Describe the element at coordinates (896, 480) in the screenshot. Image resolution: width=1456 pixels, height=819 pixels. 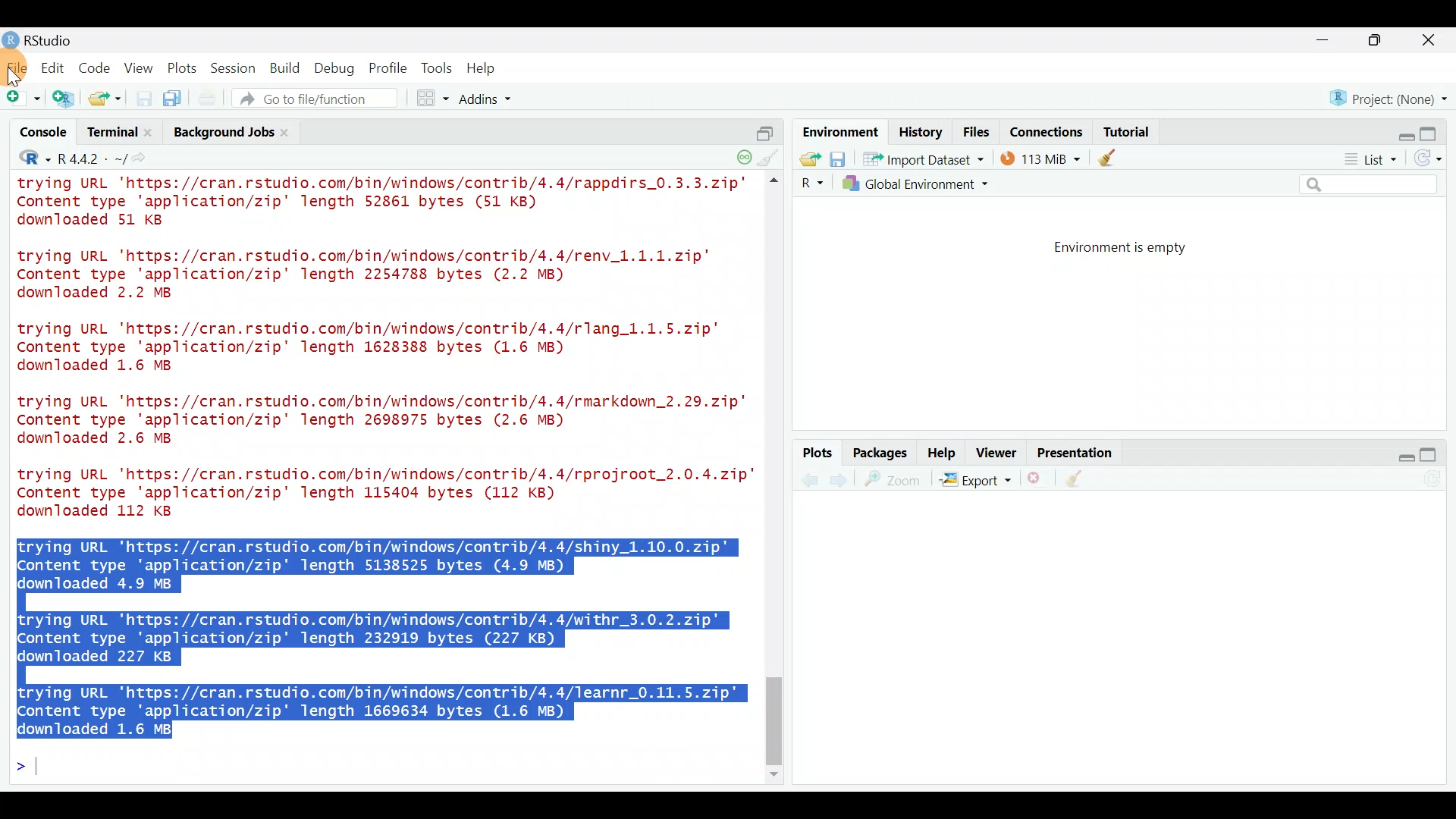
I see `zoom` at that location.